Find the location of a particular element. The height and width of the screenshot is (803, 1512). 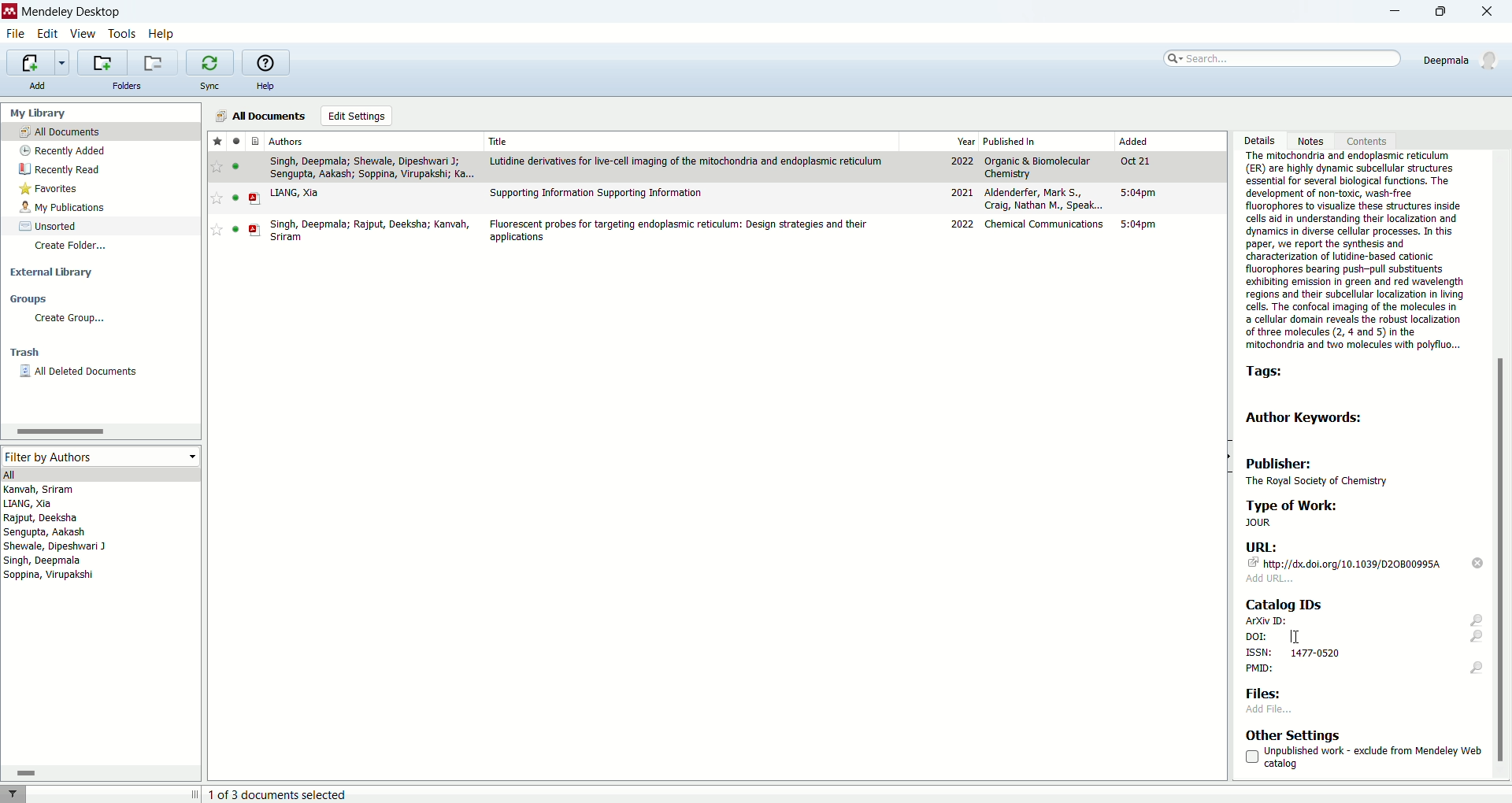

deepmala is located at coordinates (1463, 60).